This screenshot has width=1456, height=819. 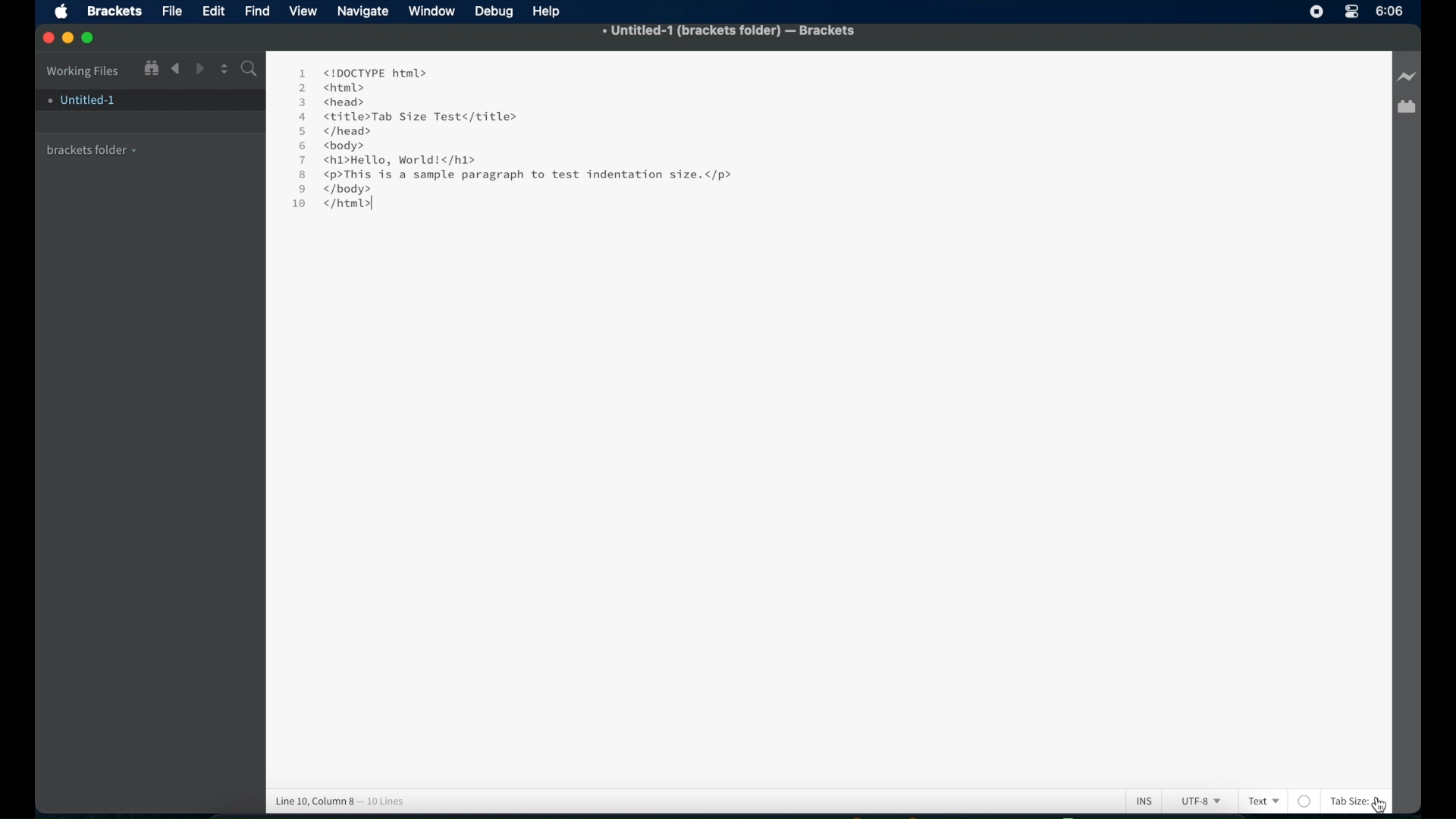 What do you see at coordinates (363, 13) in the screenshot?
I see `Navigate` at bounding box center [363, 13].